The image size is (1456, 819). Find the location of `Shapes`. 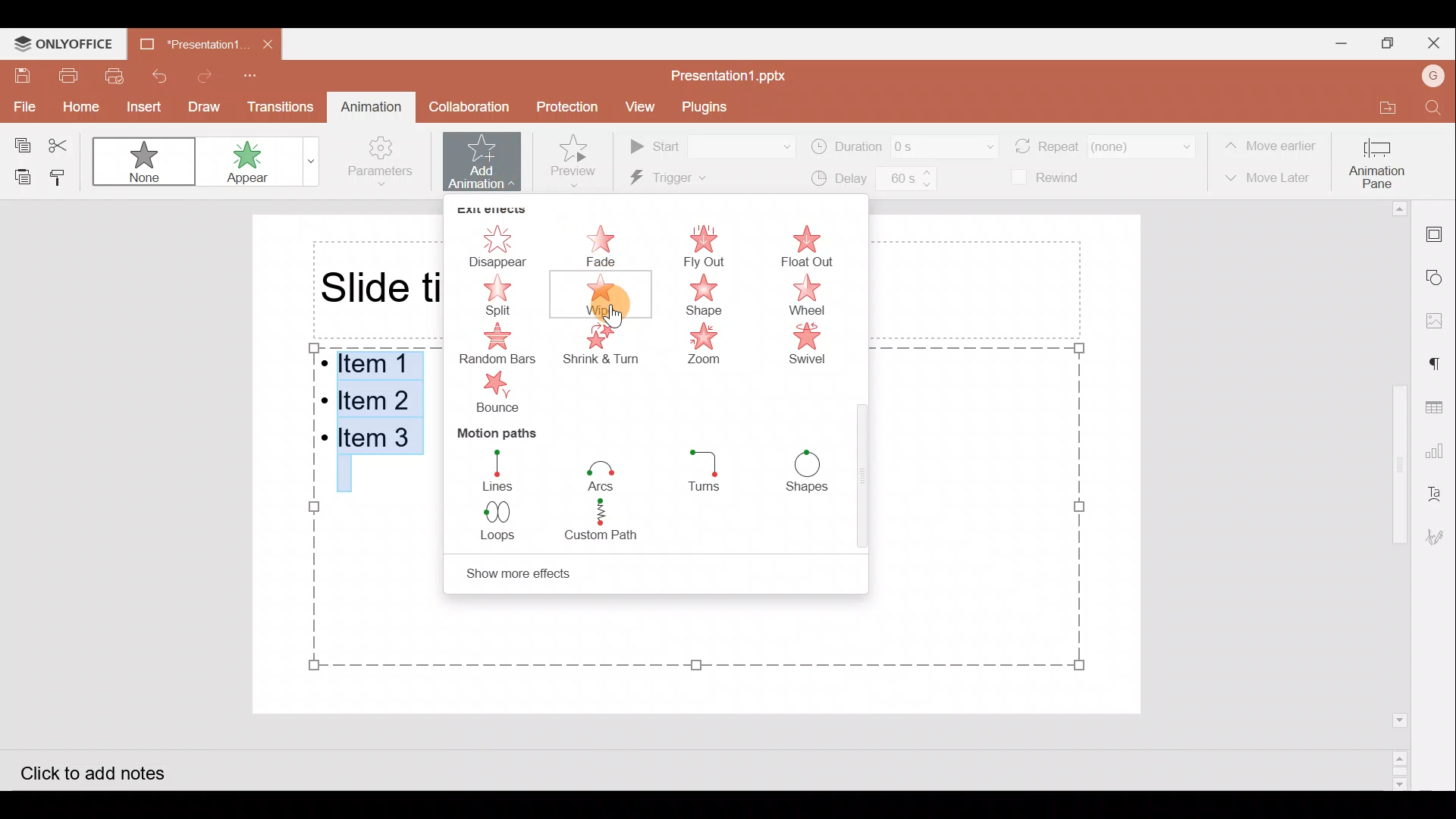

Shapes is located at coordinates (806, 471).